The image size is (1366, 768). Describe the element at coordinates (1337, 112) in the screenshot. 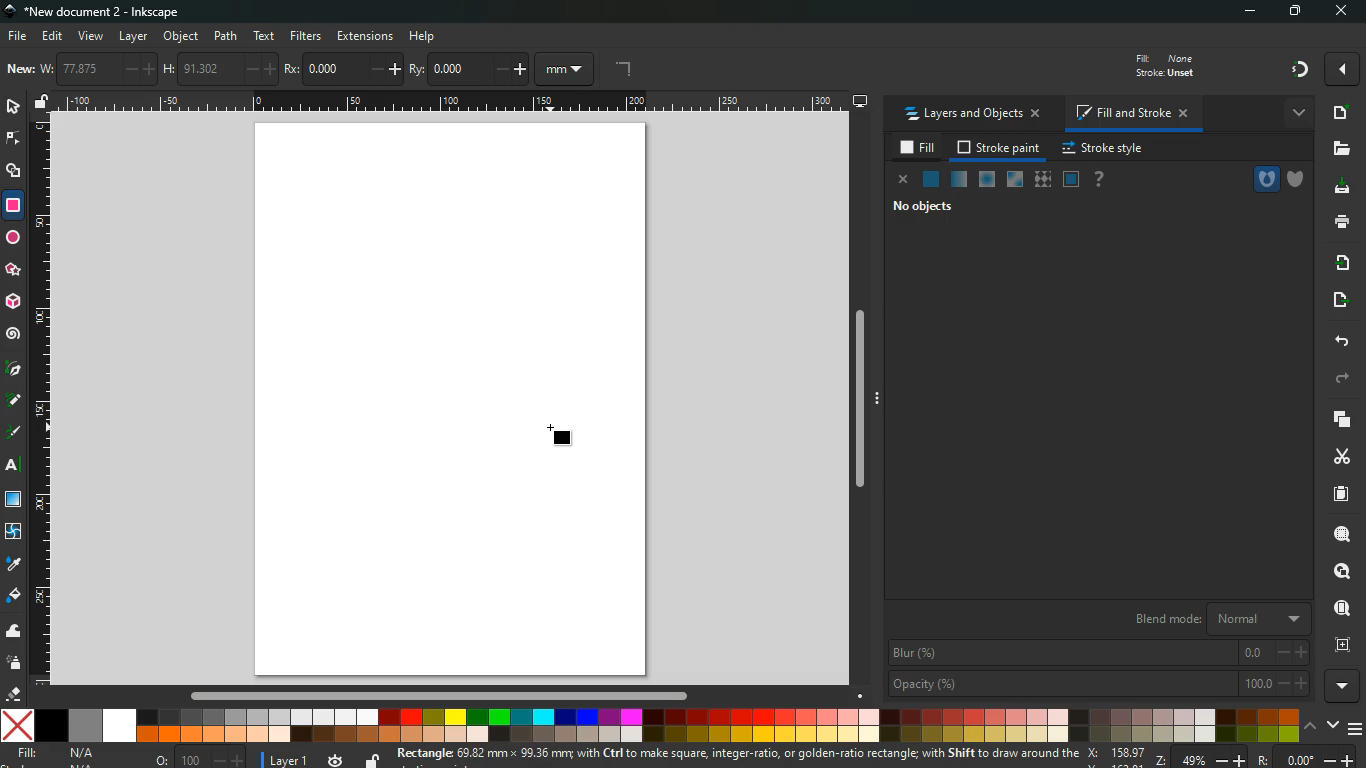

I see `new` at that location.